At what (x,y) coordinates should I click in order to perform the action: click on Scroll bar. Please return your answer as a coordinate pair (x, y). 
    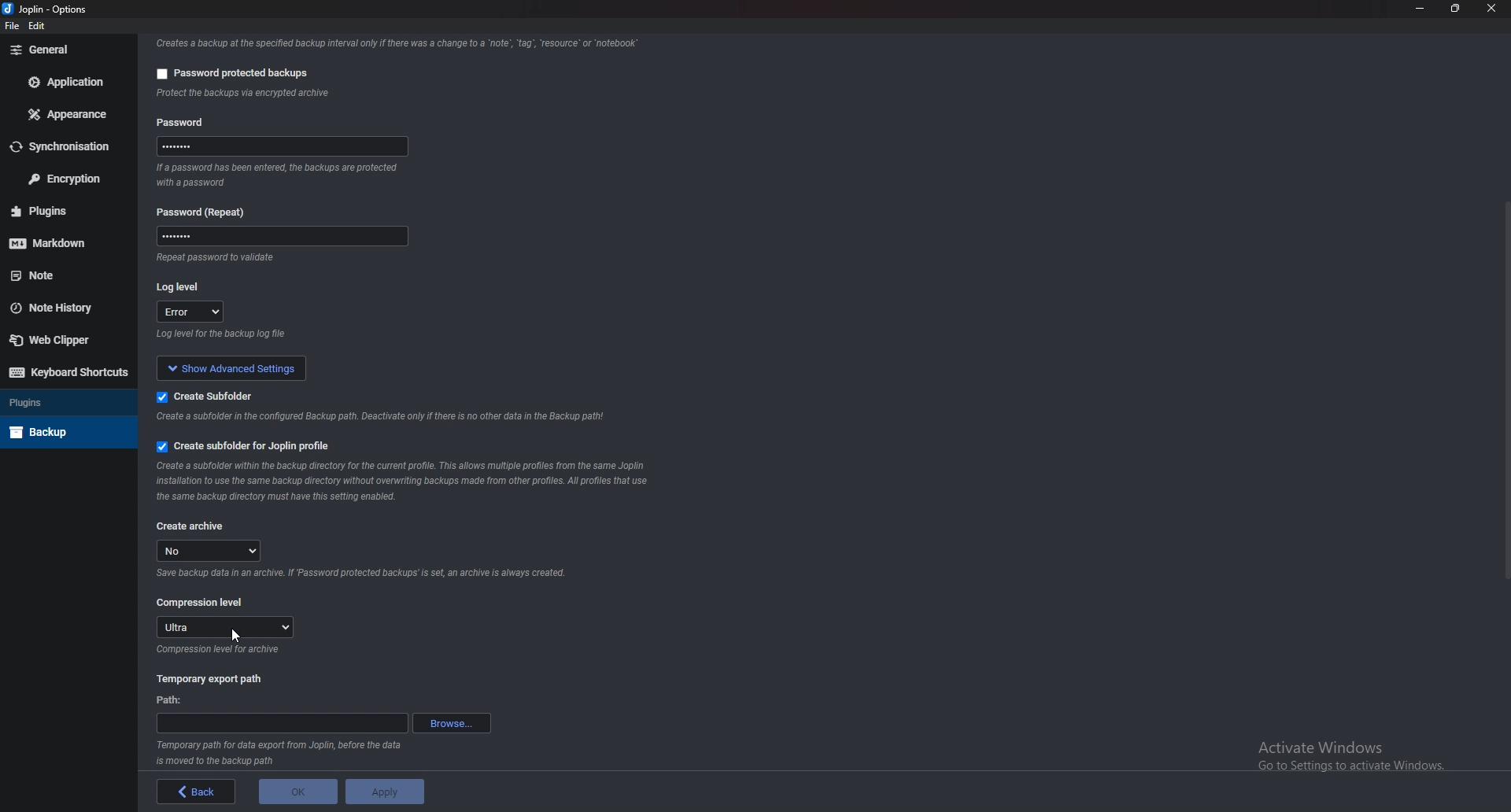
    Looking at the image, I should click on (1504, 389).